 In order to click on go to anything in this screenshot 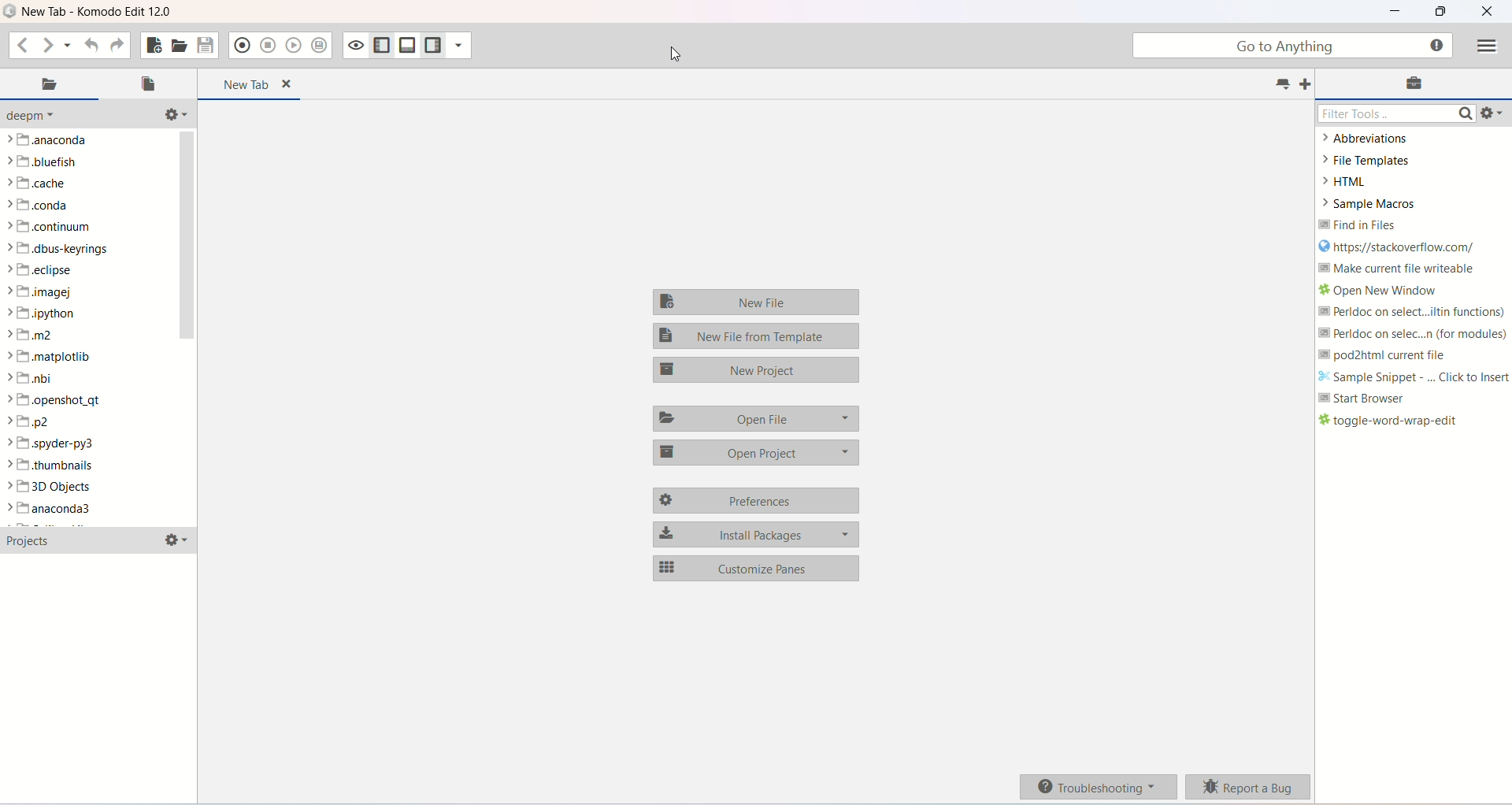, I will do `click(1293, 46)`.